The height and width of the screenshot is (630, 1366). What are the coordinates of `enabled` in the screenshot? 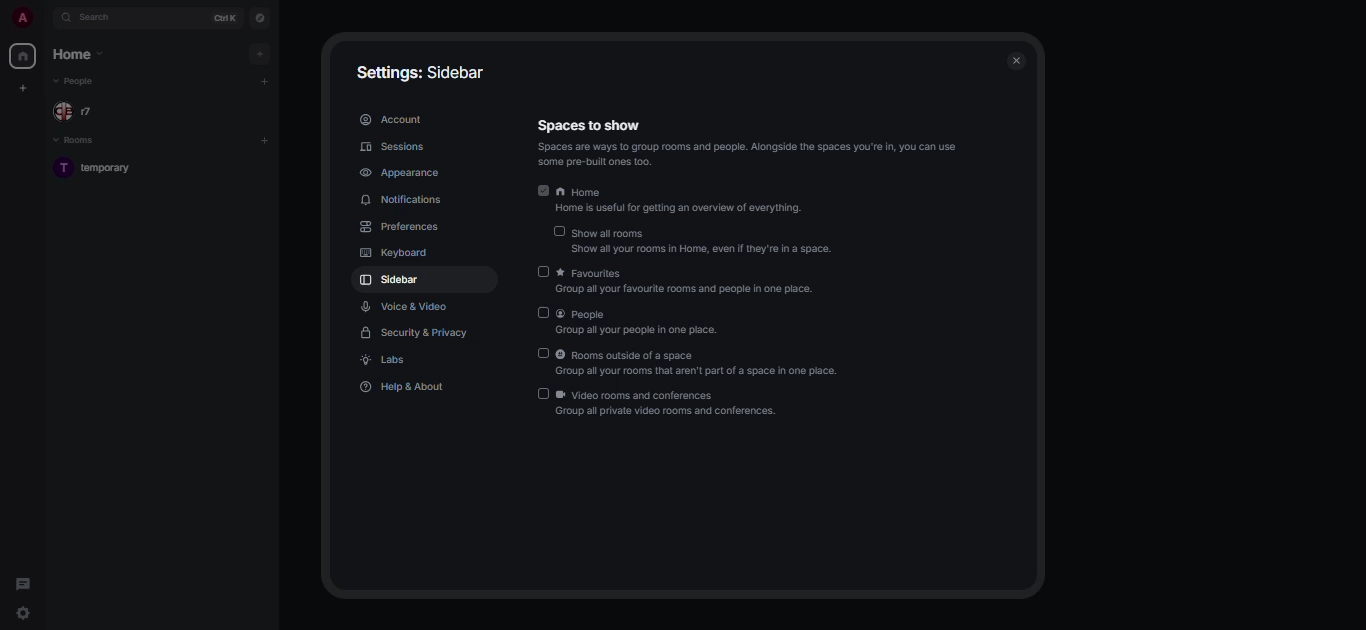 It's located at (543, 190).